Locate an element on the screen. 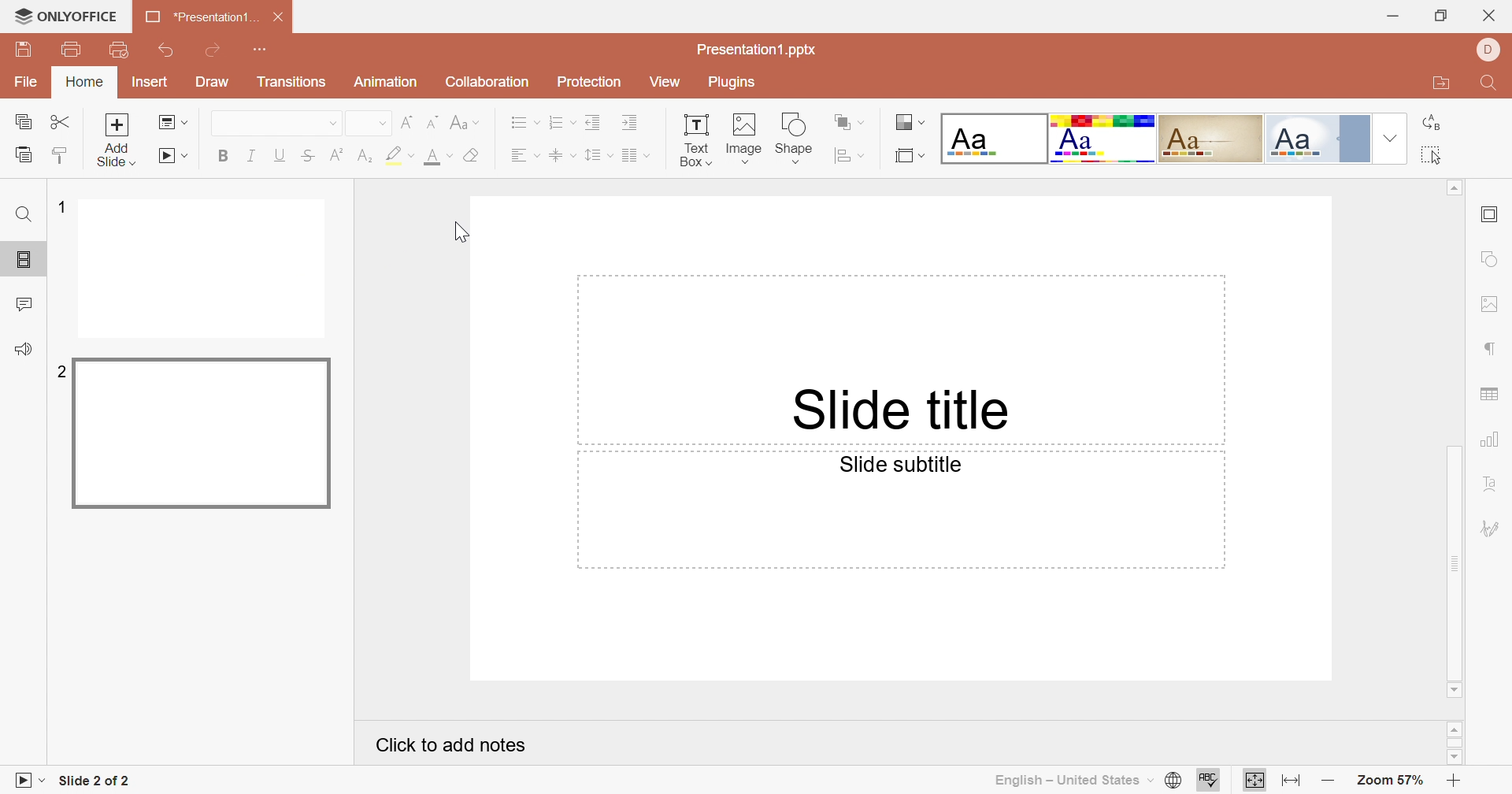 This screenshot has height=794, width=1512. Italic is located at coordinates (249, 155).